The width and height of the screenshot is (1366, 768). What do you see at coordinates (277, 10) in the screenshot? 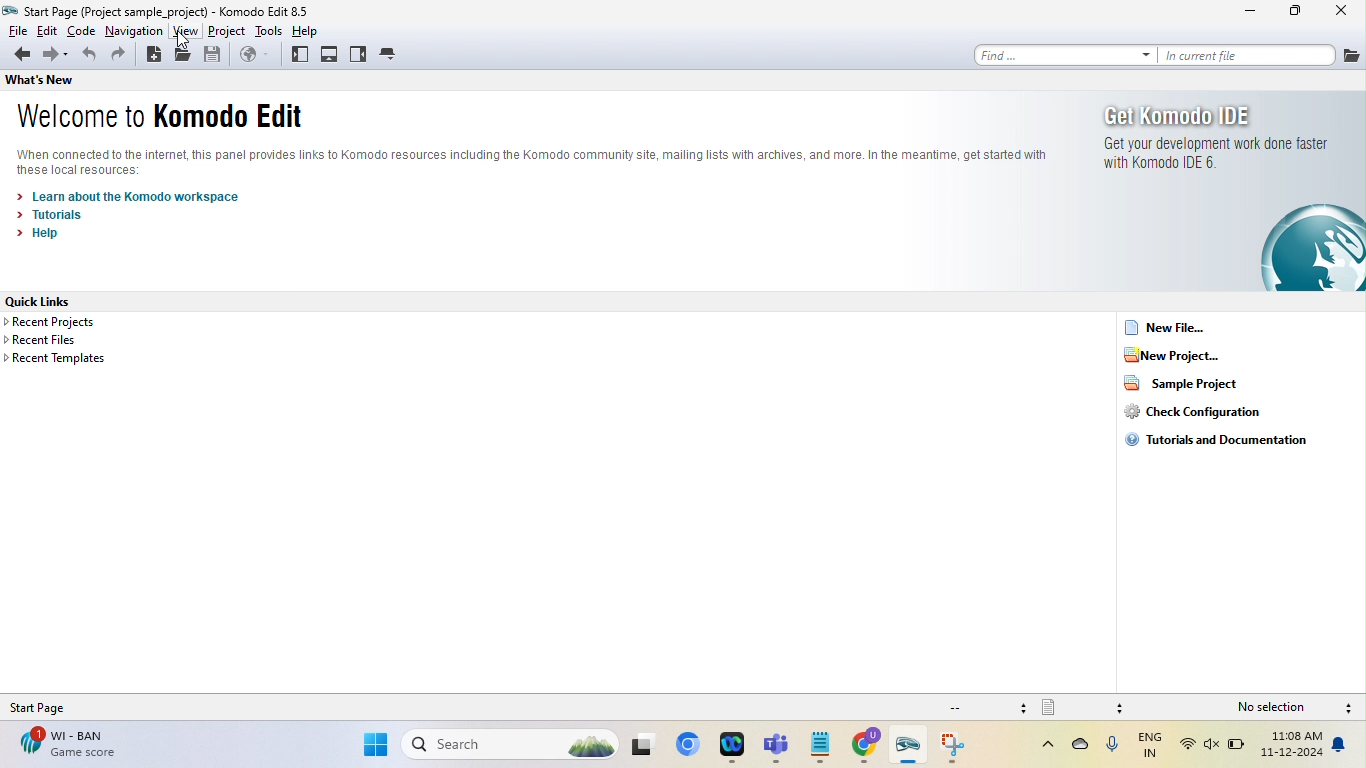
I see `komodo title` at bounding box center [277, 10].